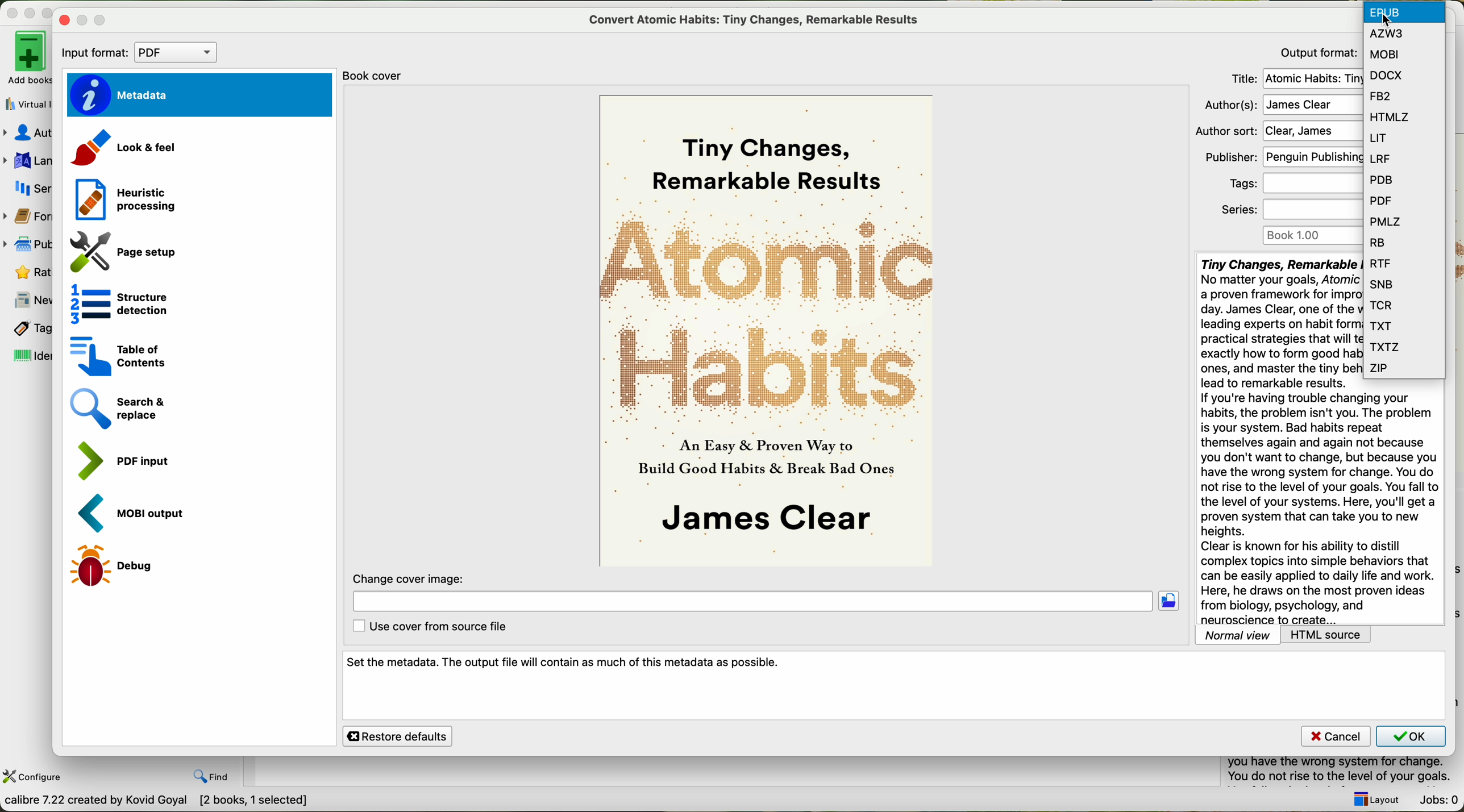 The width and height of the screenshot is (1464, 812). Describe the element at coordinates (27, 328) in the screenshot. I see `tags` at that location.